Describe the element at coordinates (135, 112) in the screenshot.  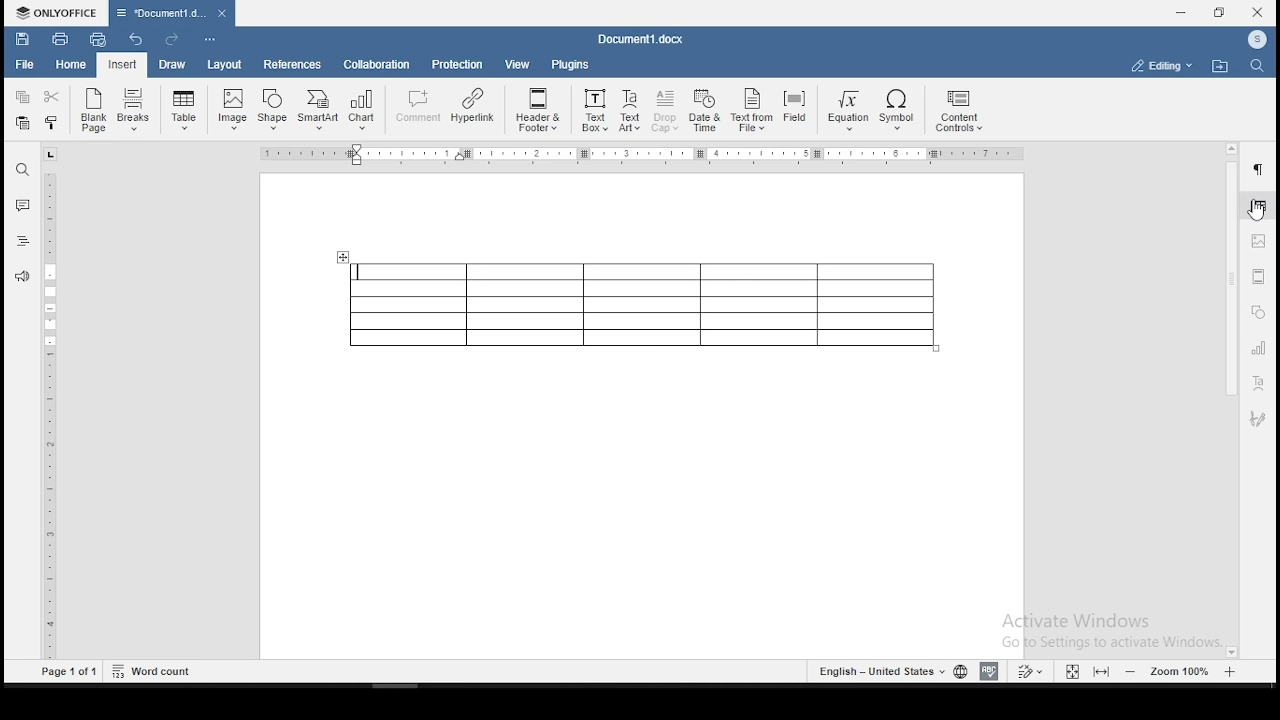
I see `Breaks` at that location.